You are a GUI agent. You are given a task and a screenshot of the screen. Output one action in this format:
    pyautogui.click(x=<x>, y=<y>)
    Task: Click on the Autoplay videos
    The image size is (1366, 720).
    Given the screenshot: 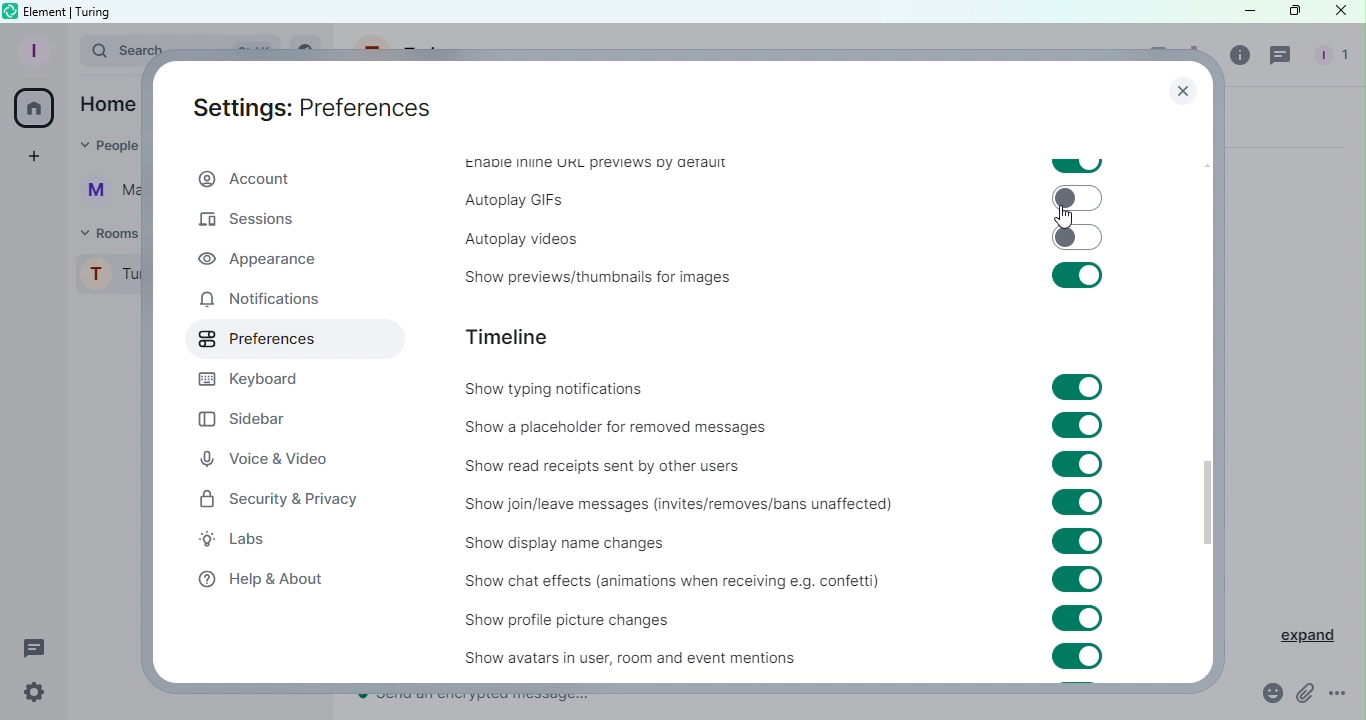 What is the action you would take?
    pyautogui.click(x=511, y=235)
    